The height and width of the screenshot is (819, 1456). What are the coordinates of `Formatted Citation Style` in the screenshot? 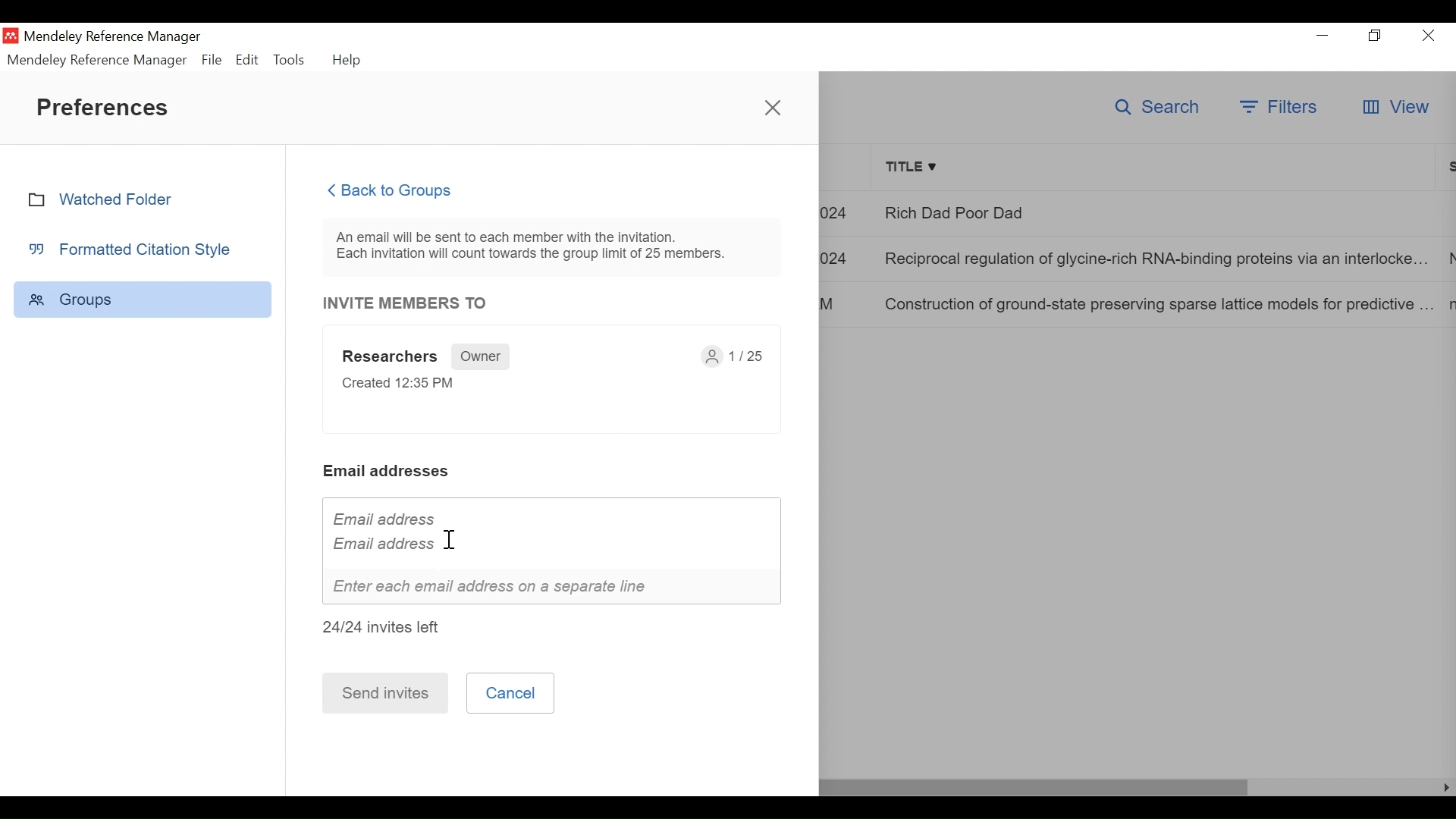 It's located at (136, 249).